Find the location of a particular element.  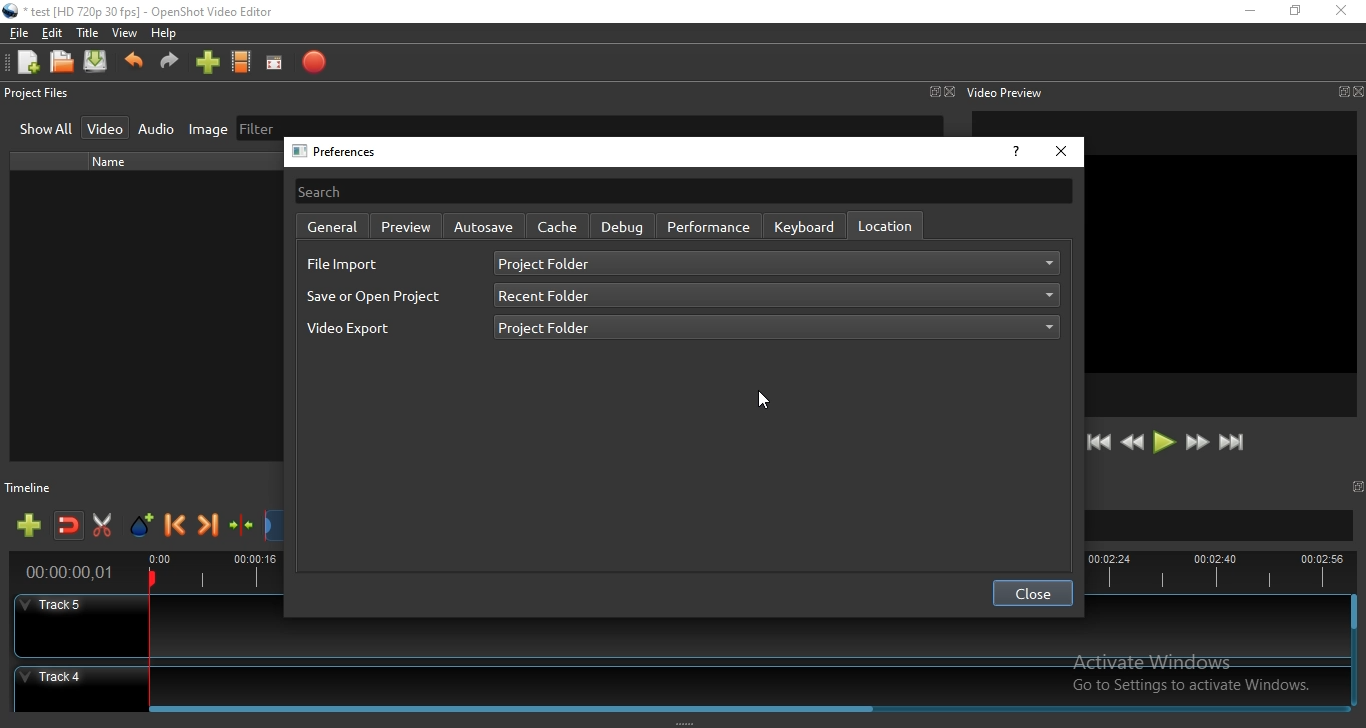

cache is located at coordinates (558, 227).